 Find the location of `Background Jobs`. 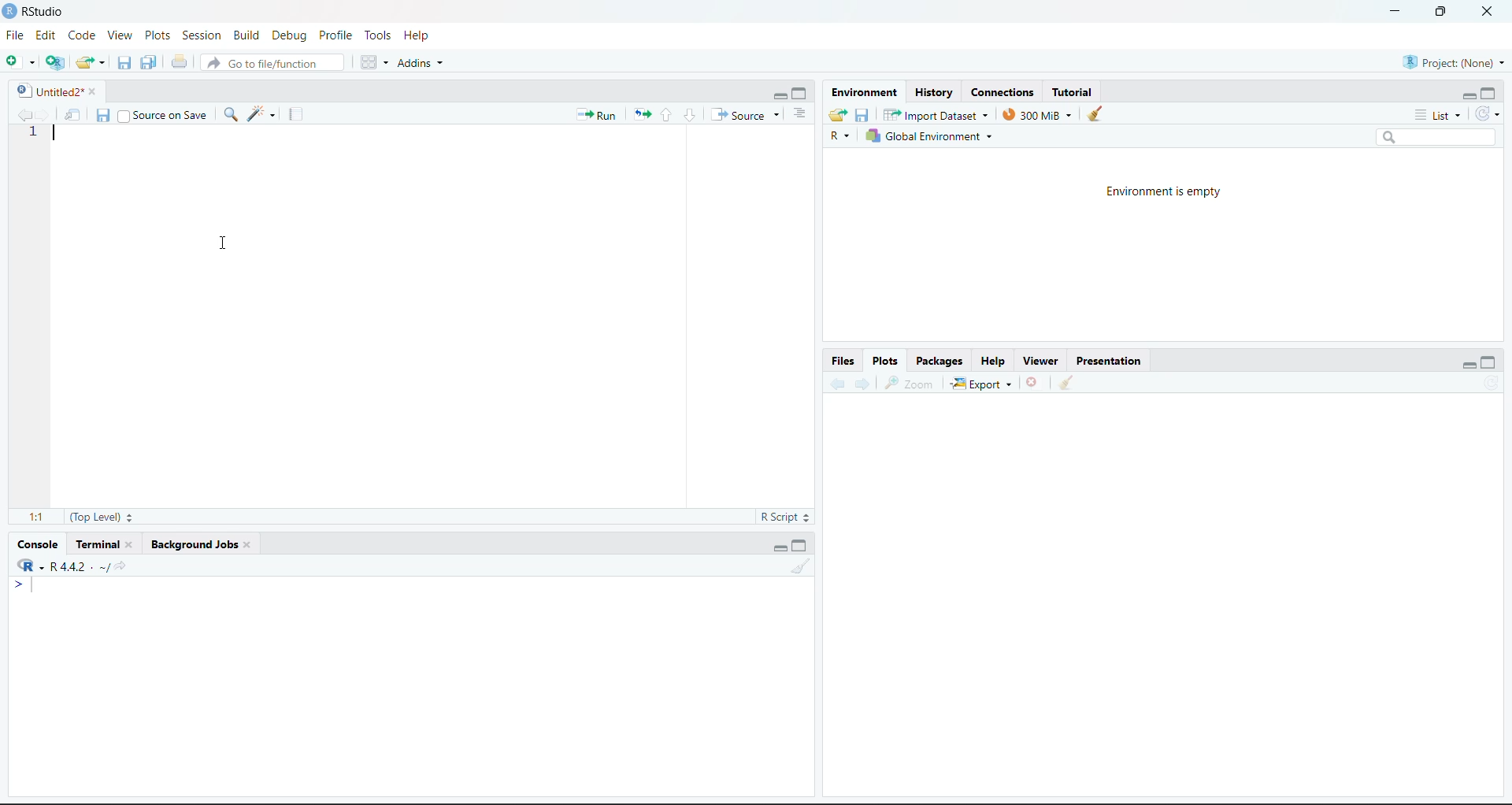

Background Jobs is located at coordinates (202, 545).